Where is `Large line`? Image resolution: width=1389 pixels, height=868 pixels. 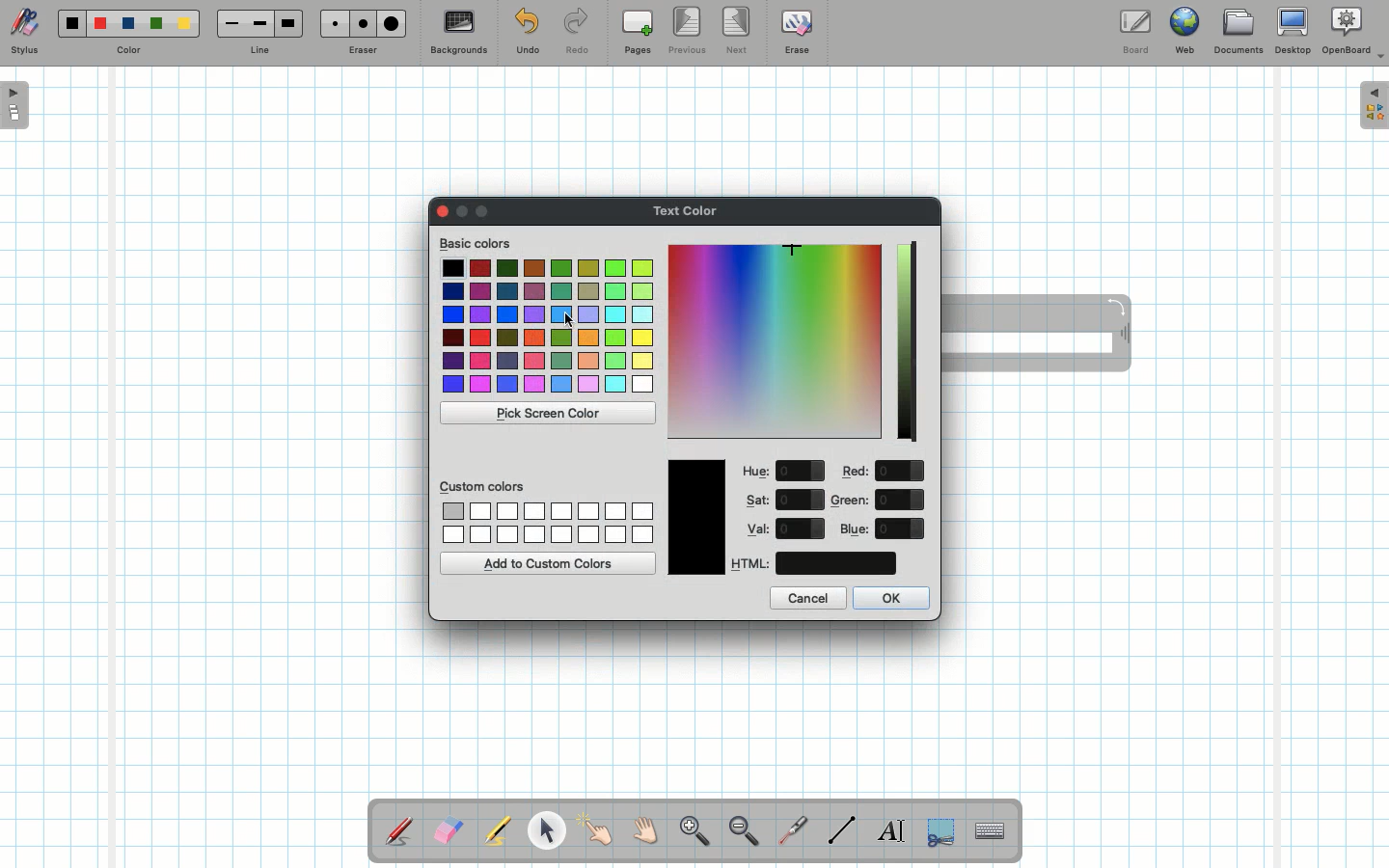
Large line is located at coordinates (289, 23).